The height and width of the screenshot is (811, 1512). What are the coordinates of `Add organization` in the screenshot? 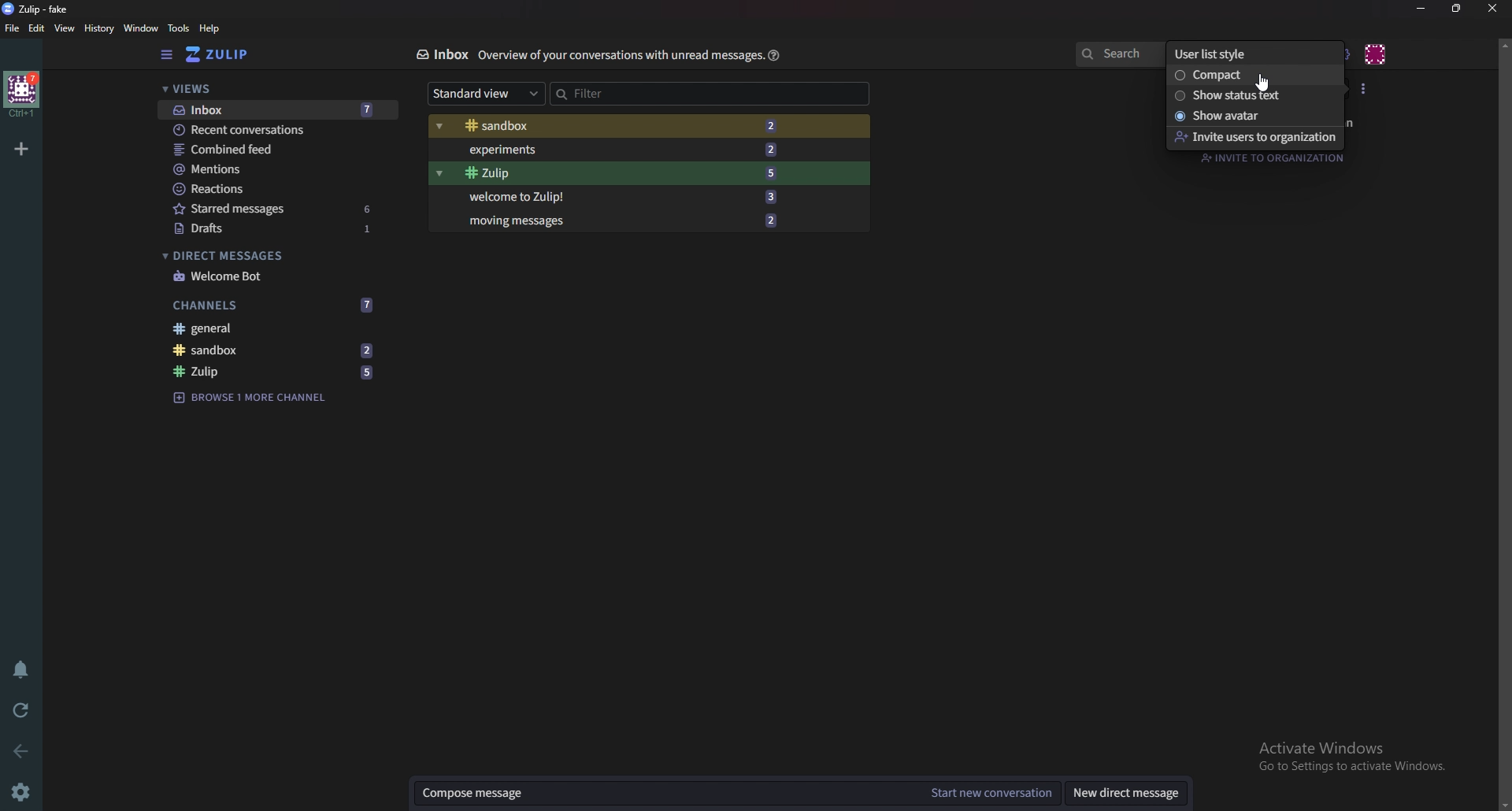 It's located at (23, 149).